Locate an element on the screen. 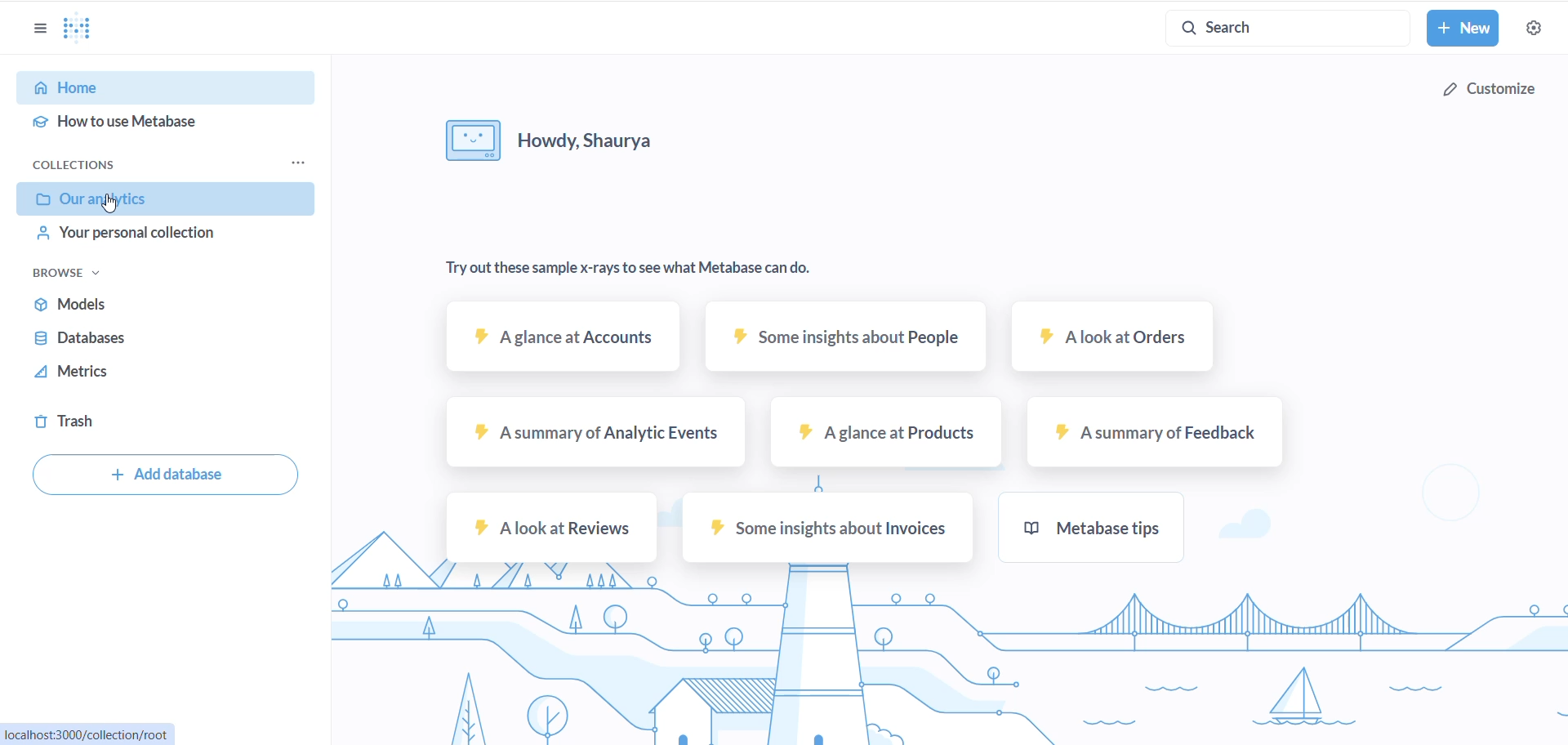  metabase Logo is located at coordinates (78, 29).